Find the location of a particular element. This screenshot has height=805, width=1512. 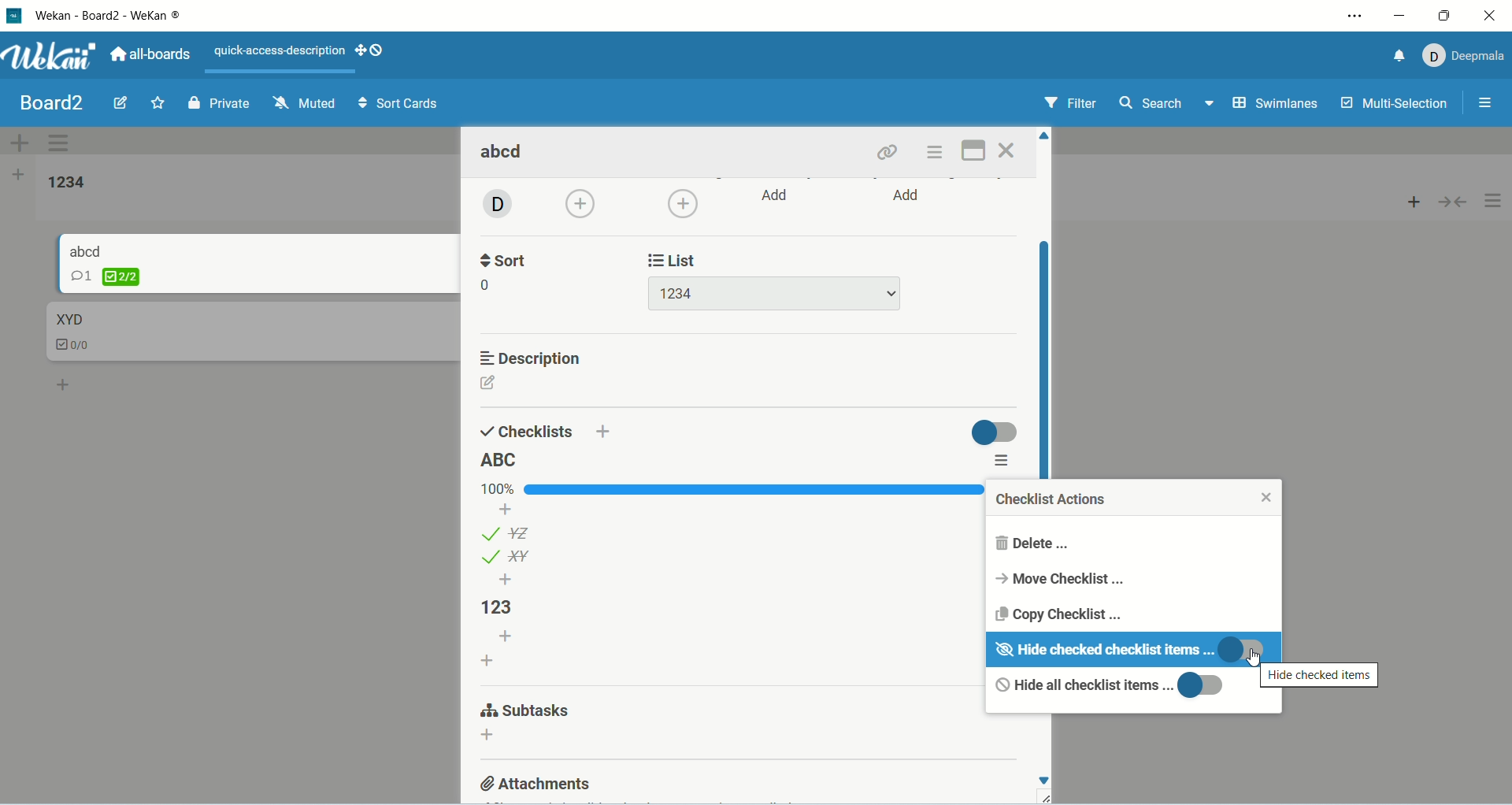

SHOW-DESKTOP-DRAG-HANDLES is located at coordinates (369, 50).